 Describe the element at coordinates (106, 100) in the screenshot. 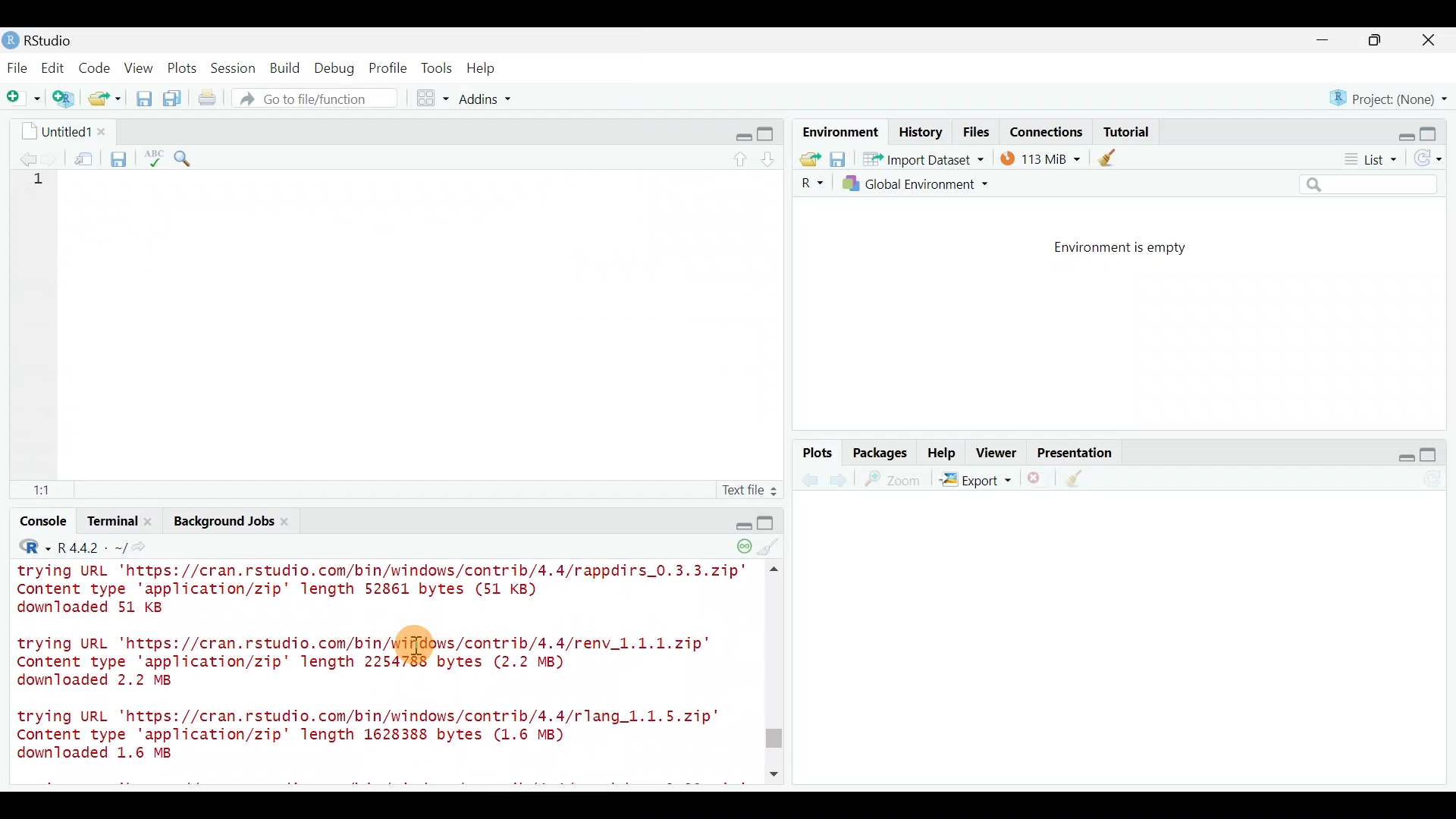

I see `Open an existing file` at that location.